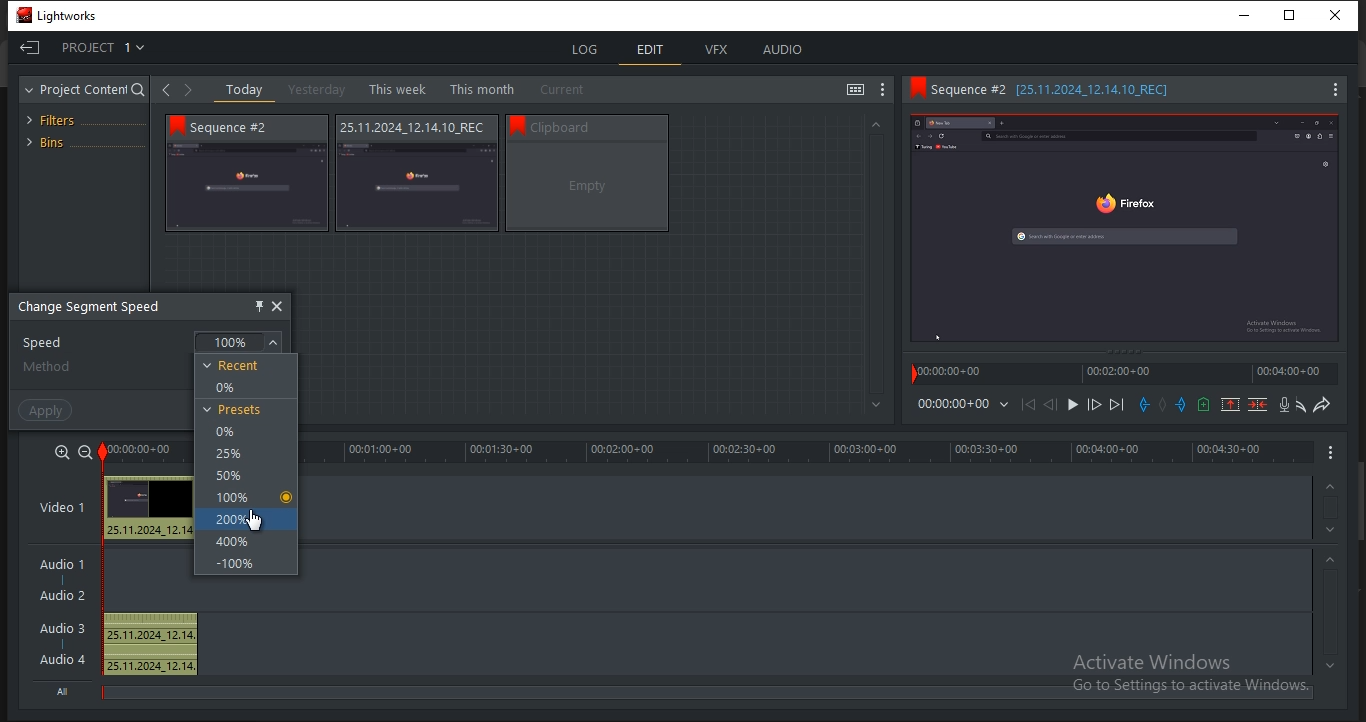 The width and height of the screenshot is (1366, 722). What do you see at coordinates (61, 629) in the screenshot?
I see `Audio 3` at bounding box center [61, 629].